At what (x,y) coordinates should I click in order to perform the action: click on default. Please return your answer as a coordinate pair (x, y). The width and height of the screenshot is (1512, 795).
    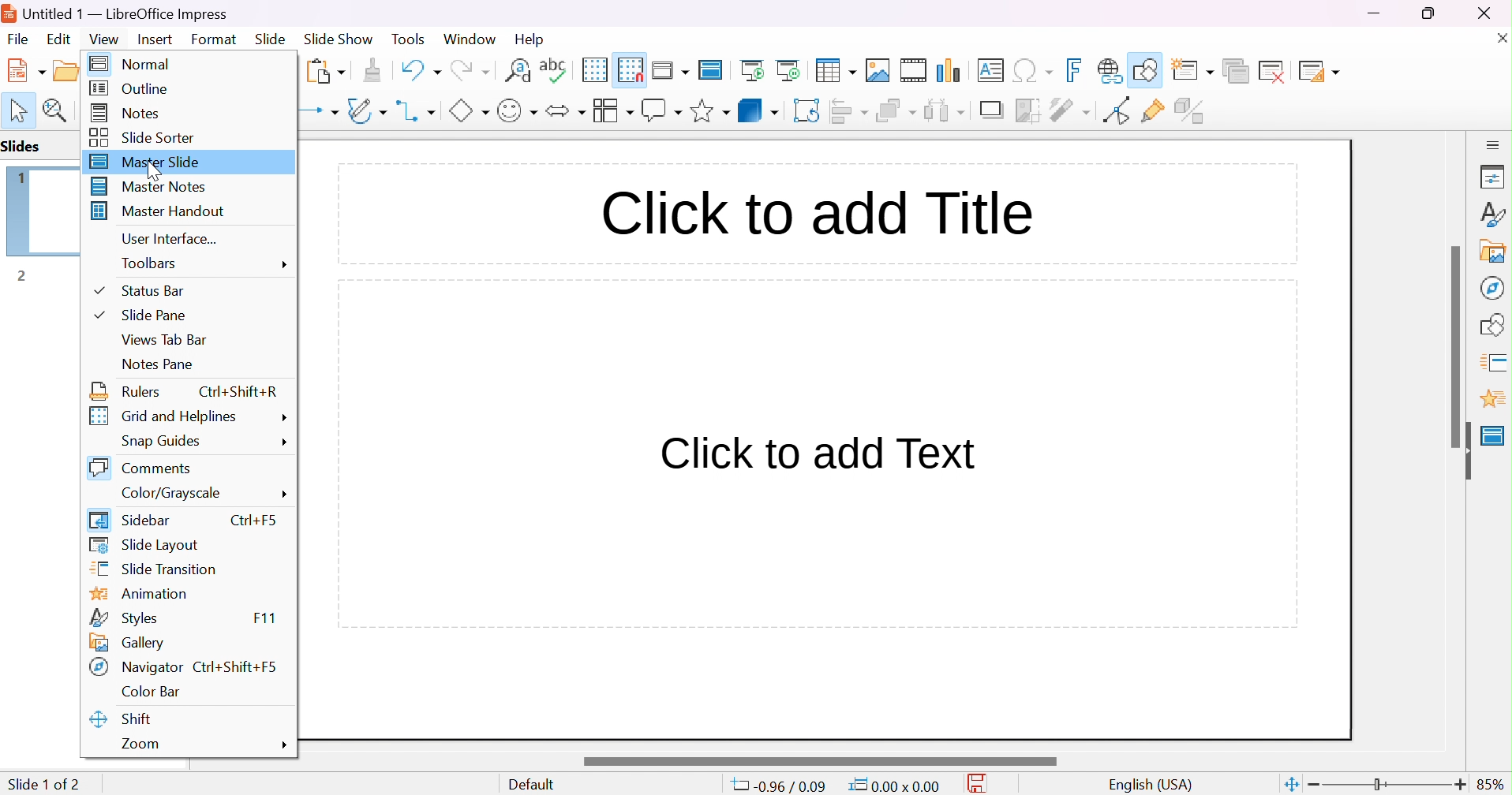
    Looking at the image, I should click on (536, 785).